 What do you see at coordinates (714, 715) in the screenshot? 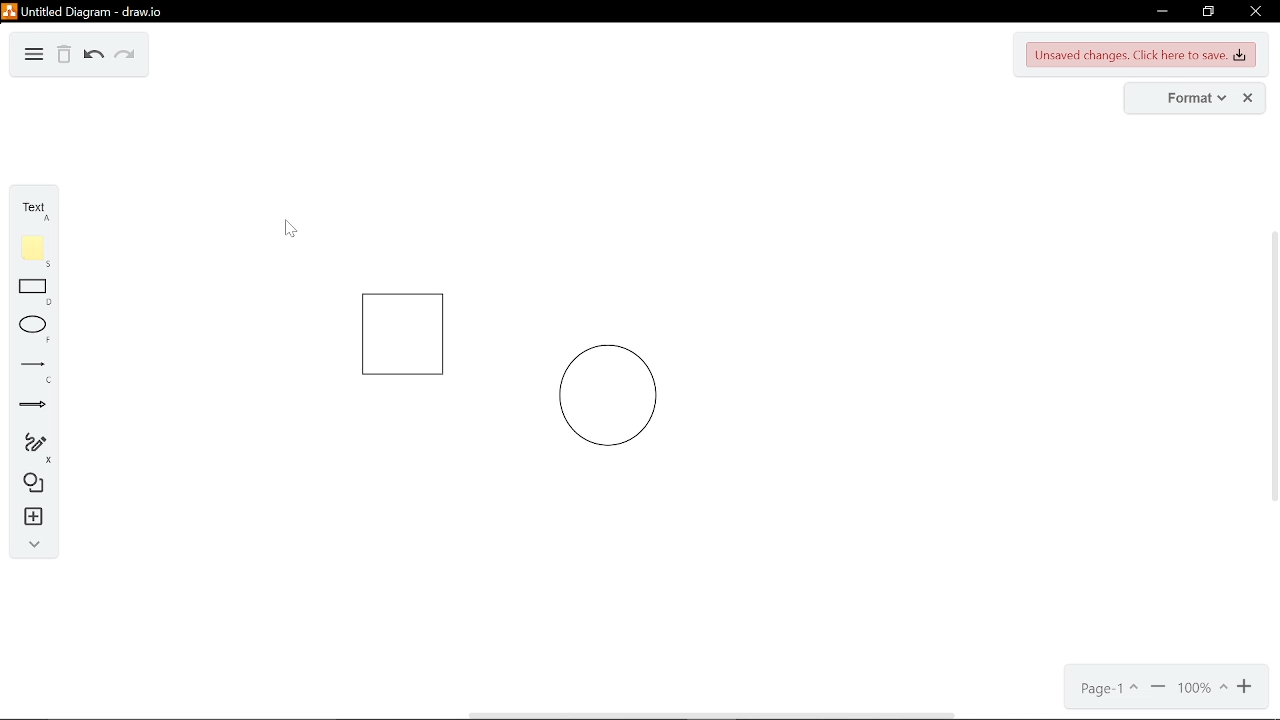
I see `horizontal scrollbar` at bounding box center [714, 715].